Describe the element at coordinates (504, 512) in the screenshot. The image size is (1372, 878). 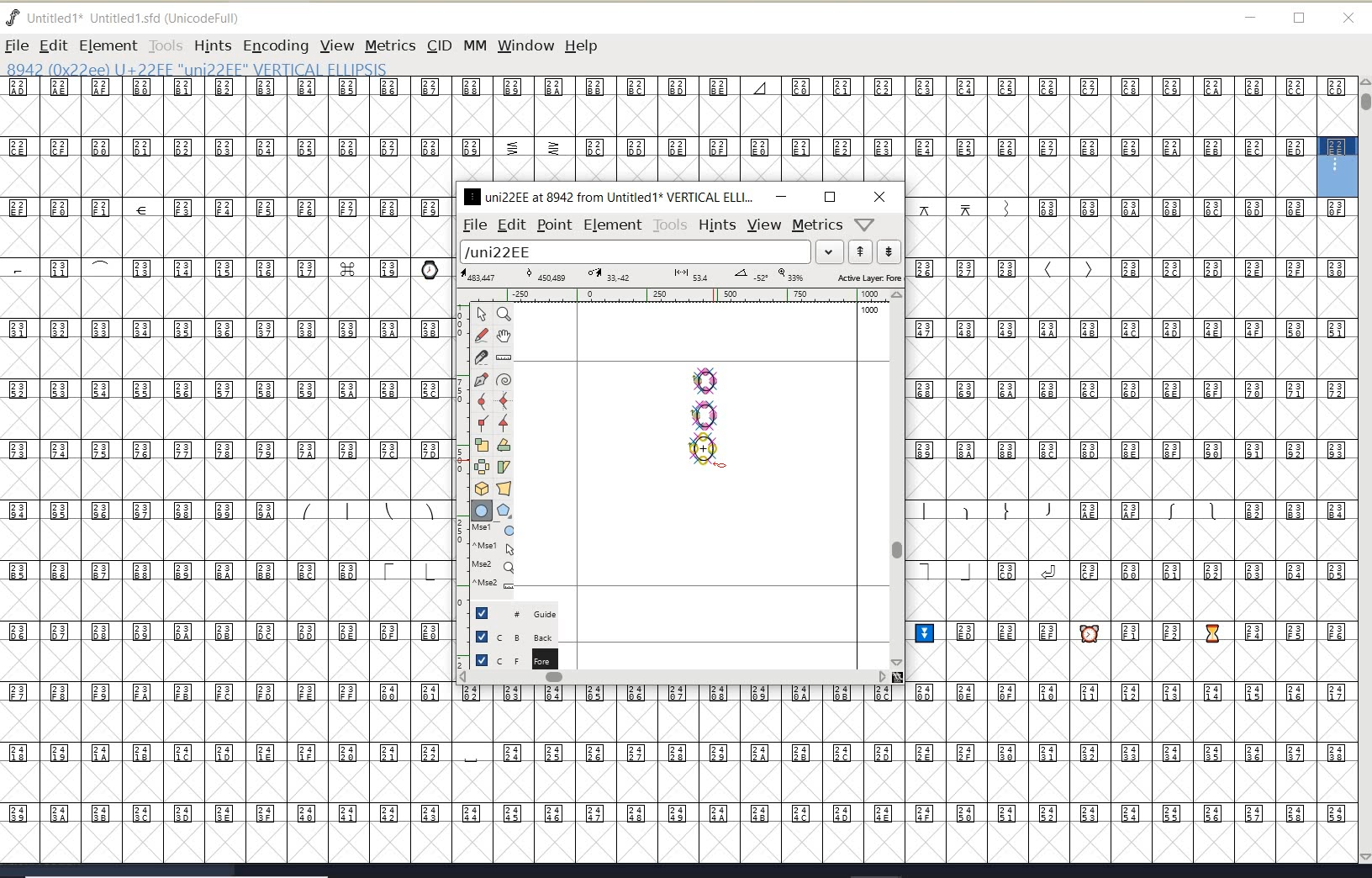
I see `polygon or star` at that location.